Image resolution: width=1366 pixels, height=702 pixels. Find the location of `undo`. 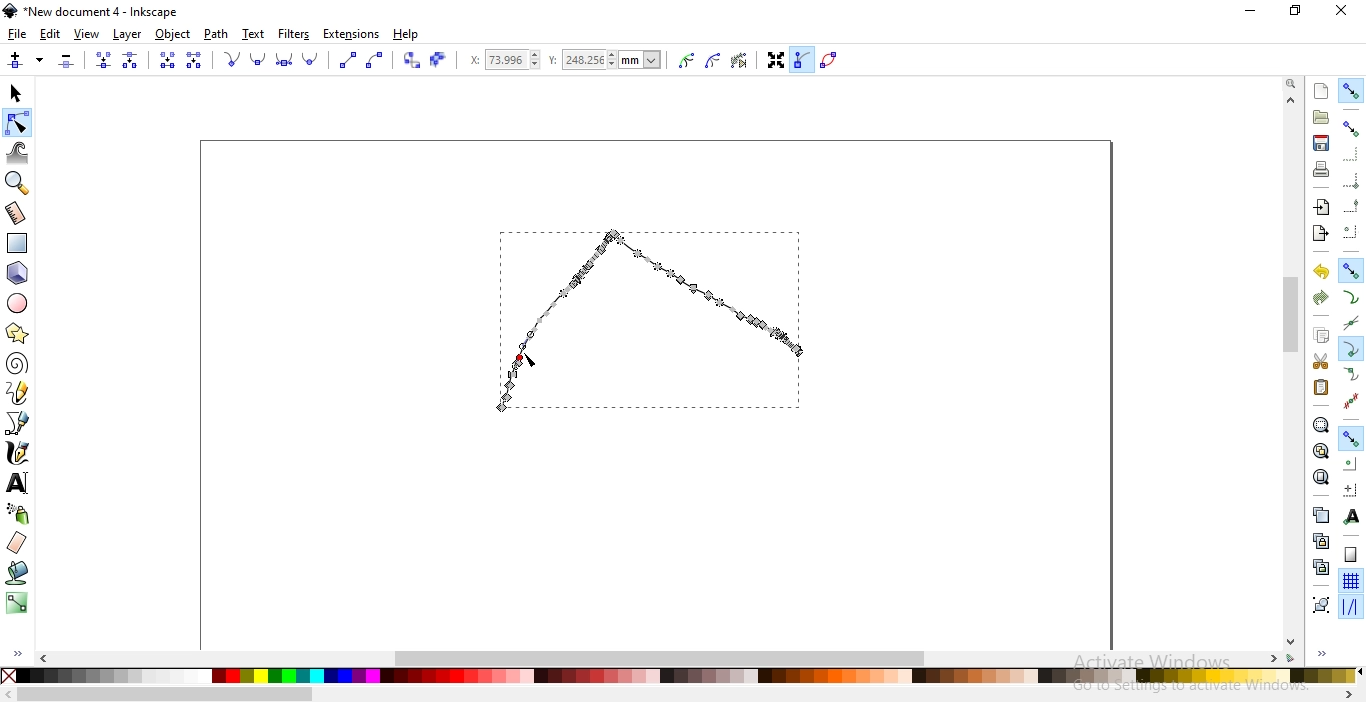

undo is located at coordinates (1320, 270).